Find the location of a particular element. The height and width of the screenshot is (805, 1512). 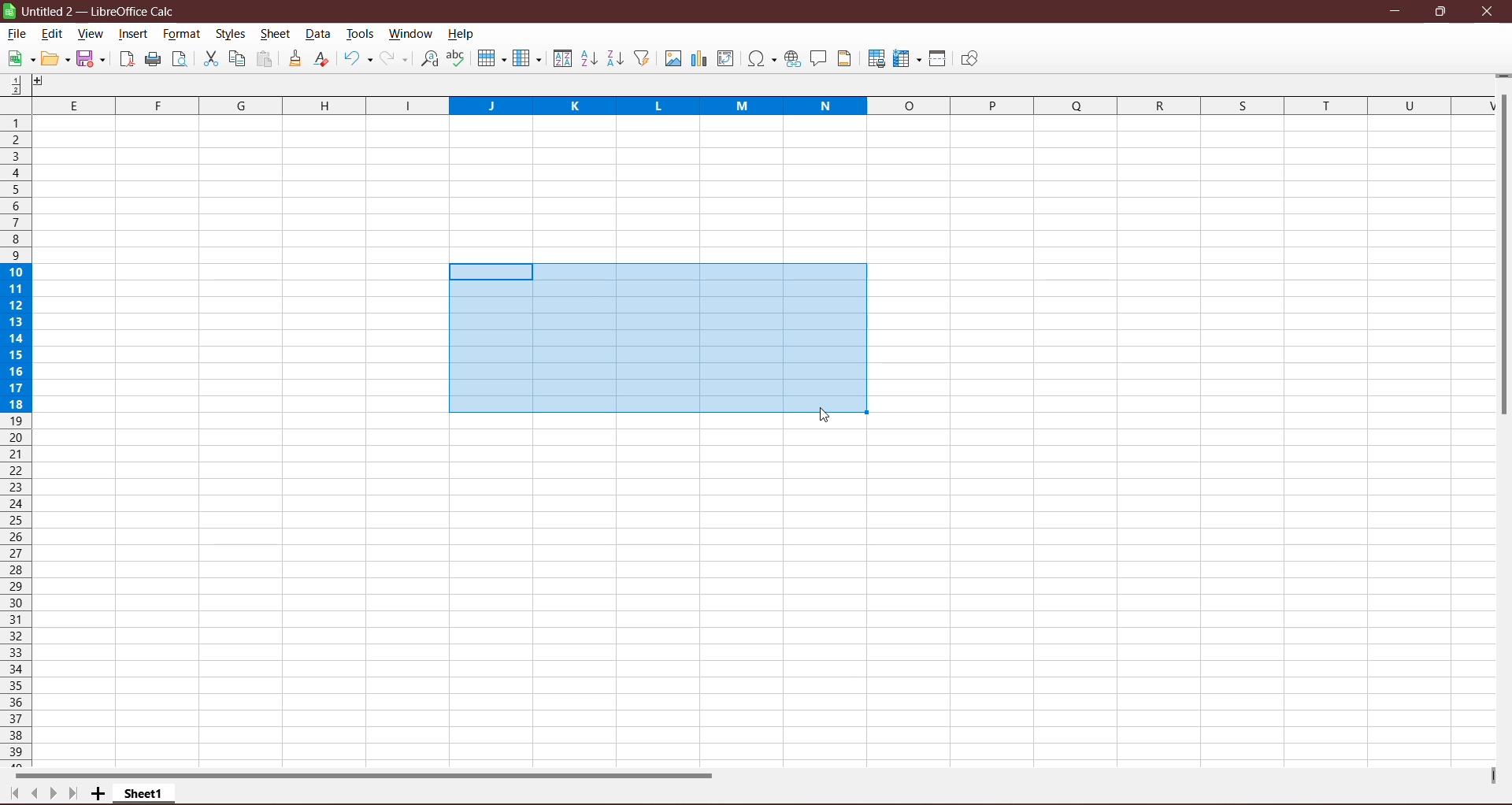

Data is located at coordinates (318, 34).